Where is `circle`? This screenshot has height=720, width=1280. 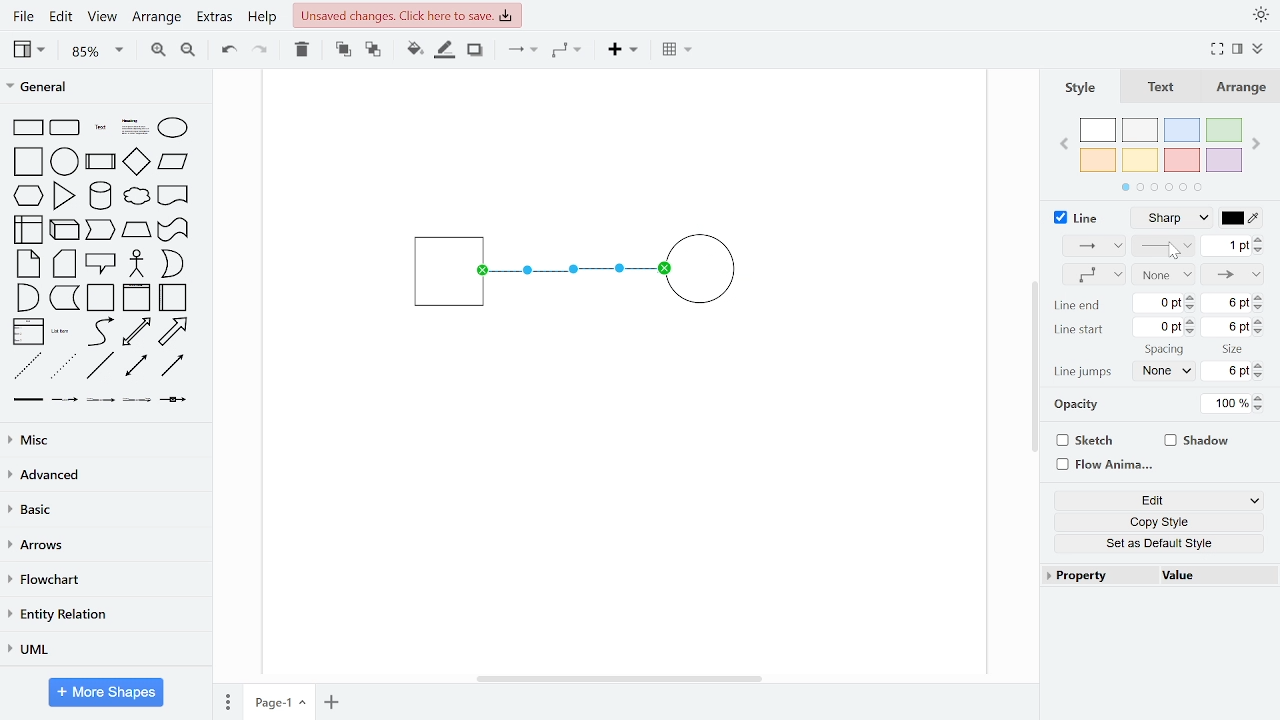
circle is located at coordinates (65, 161).